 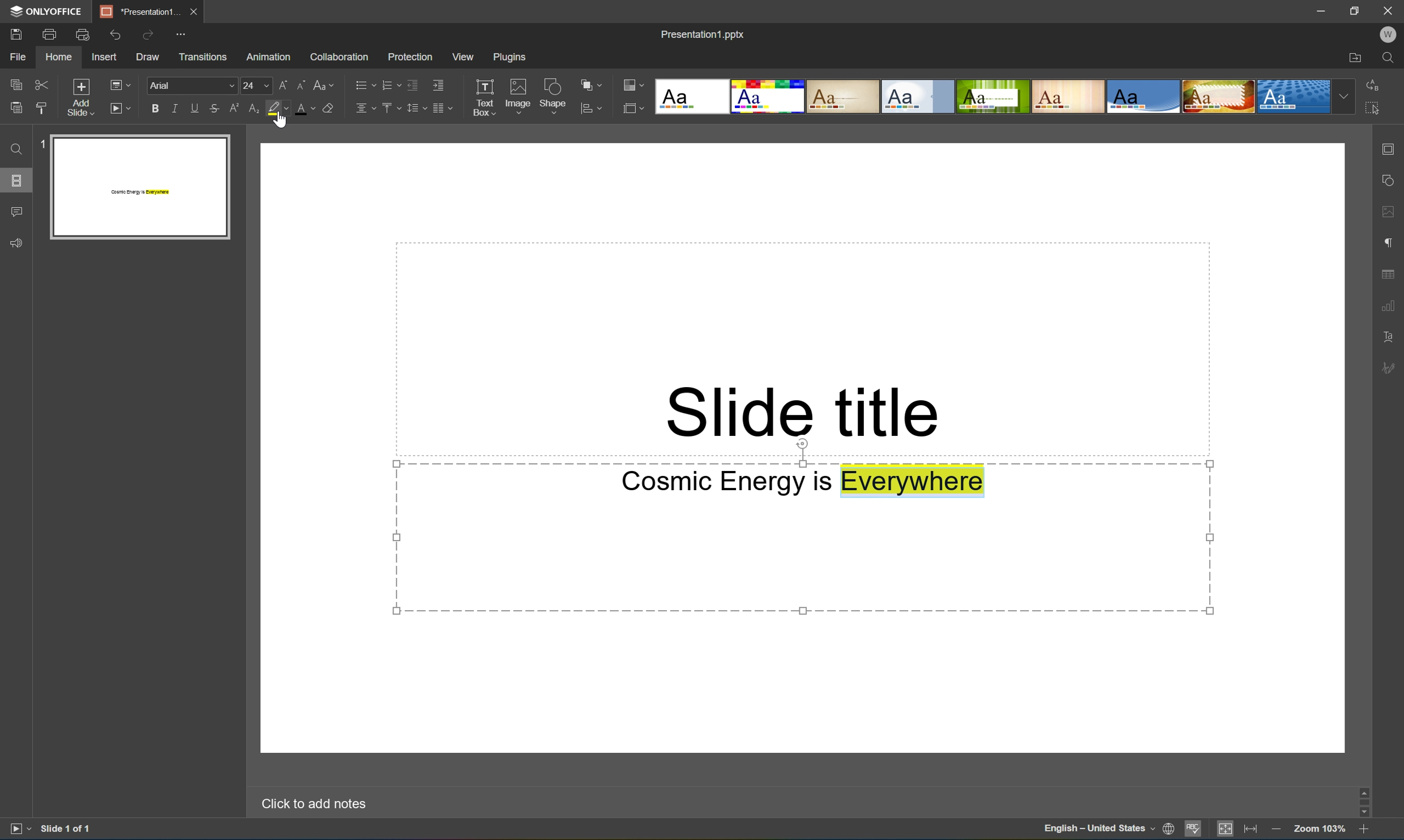 I want to click on Protection, so click(x=410, y=54).